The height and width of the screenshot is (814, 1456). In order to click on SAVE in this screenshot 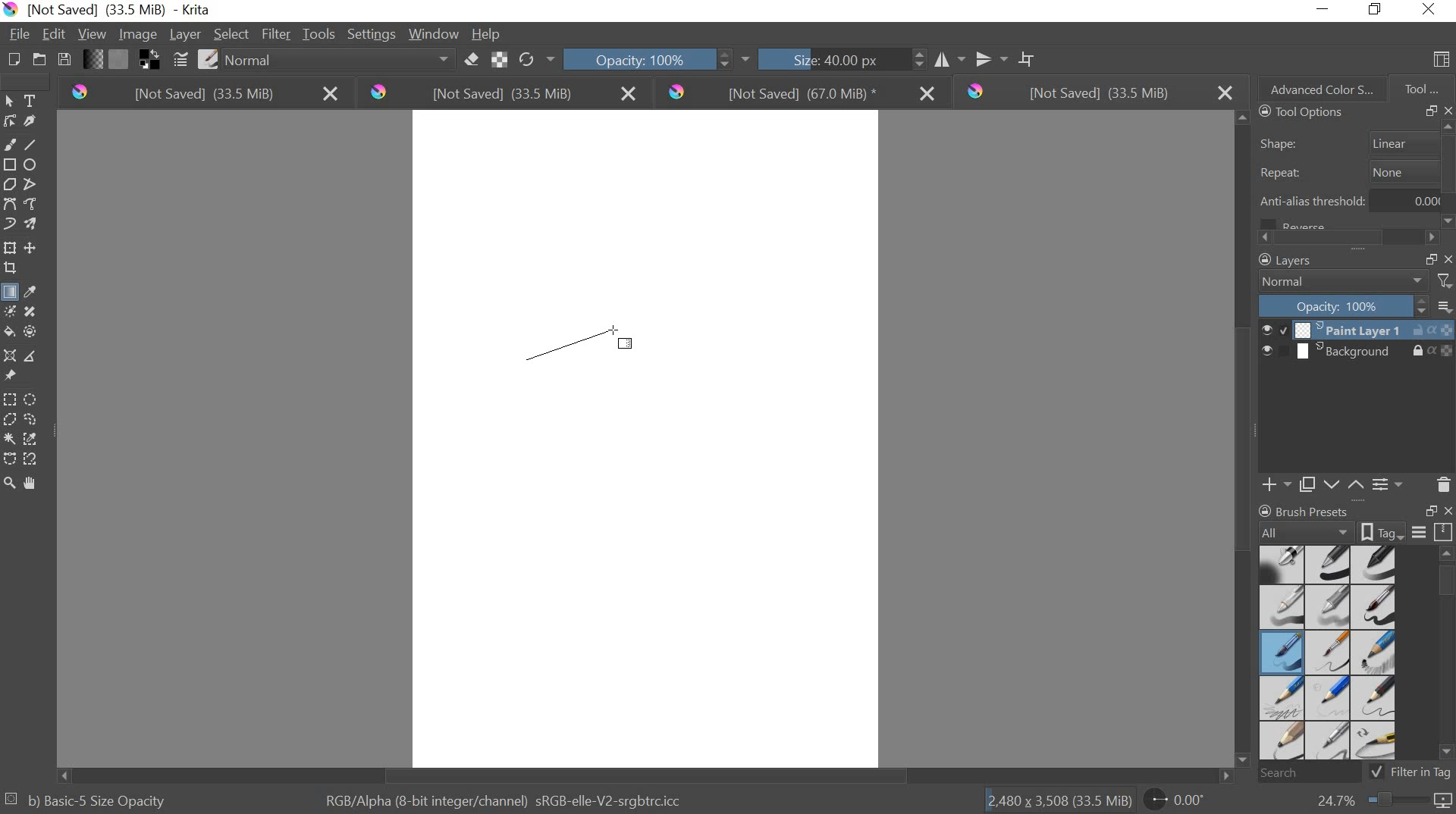, I will do `click(64, 58)`.